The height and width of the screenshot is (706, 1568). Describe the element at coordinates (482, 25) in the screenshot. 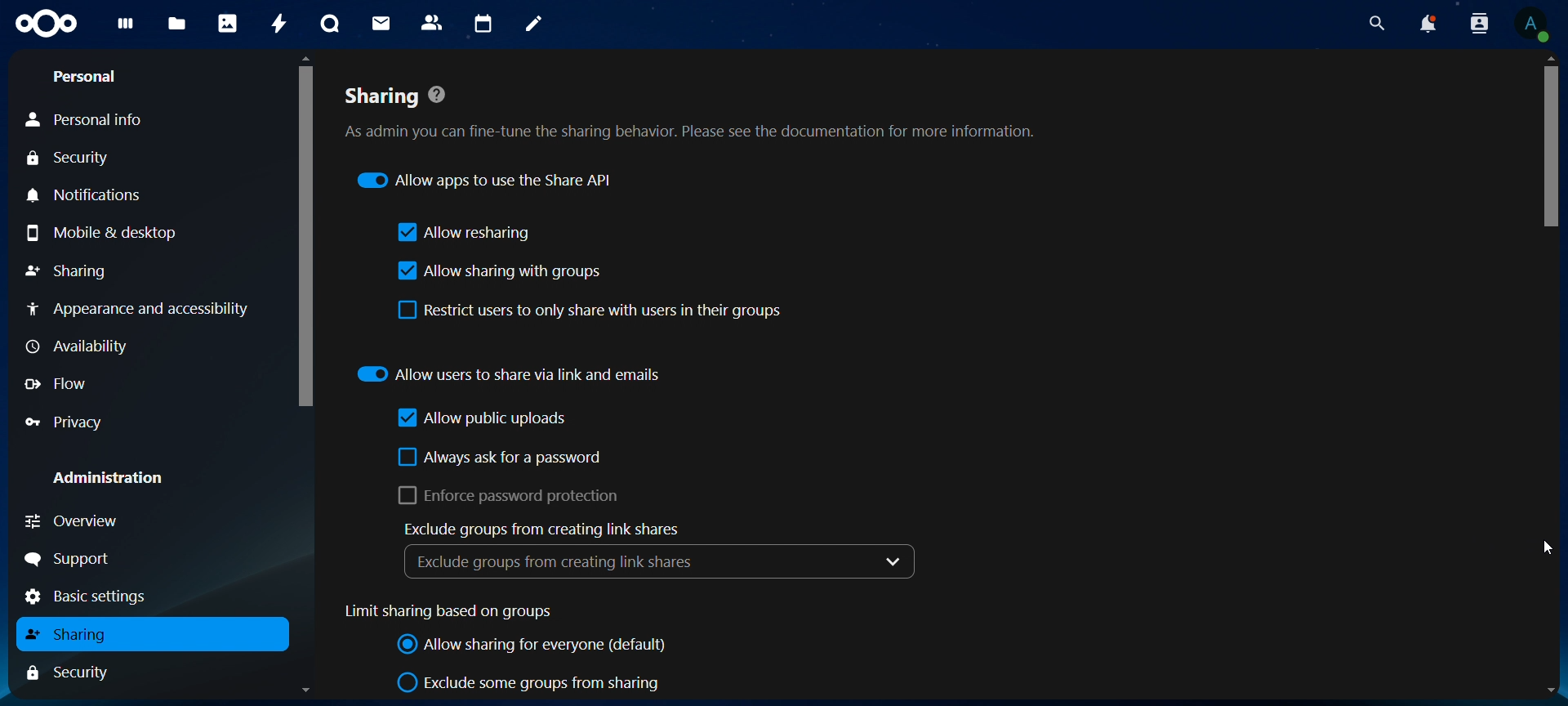

I see `calendar` at that location.